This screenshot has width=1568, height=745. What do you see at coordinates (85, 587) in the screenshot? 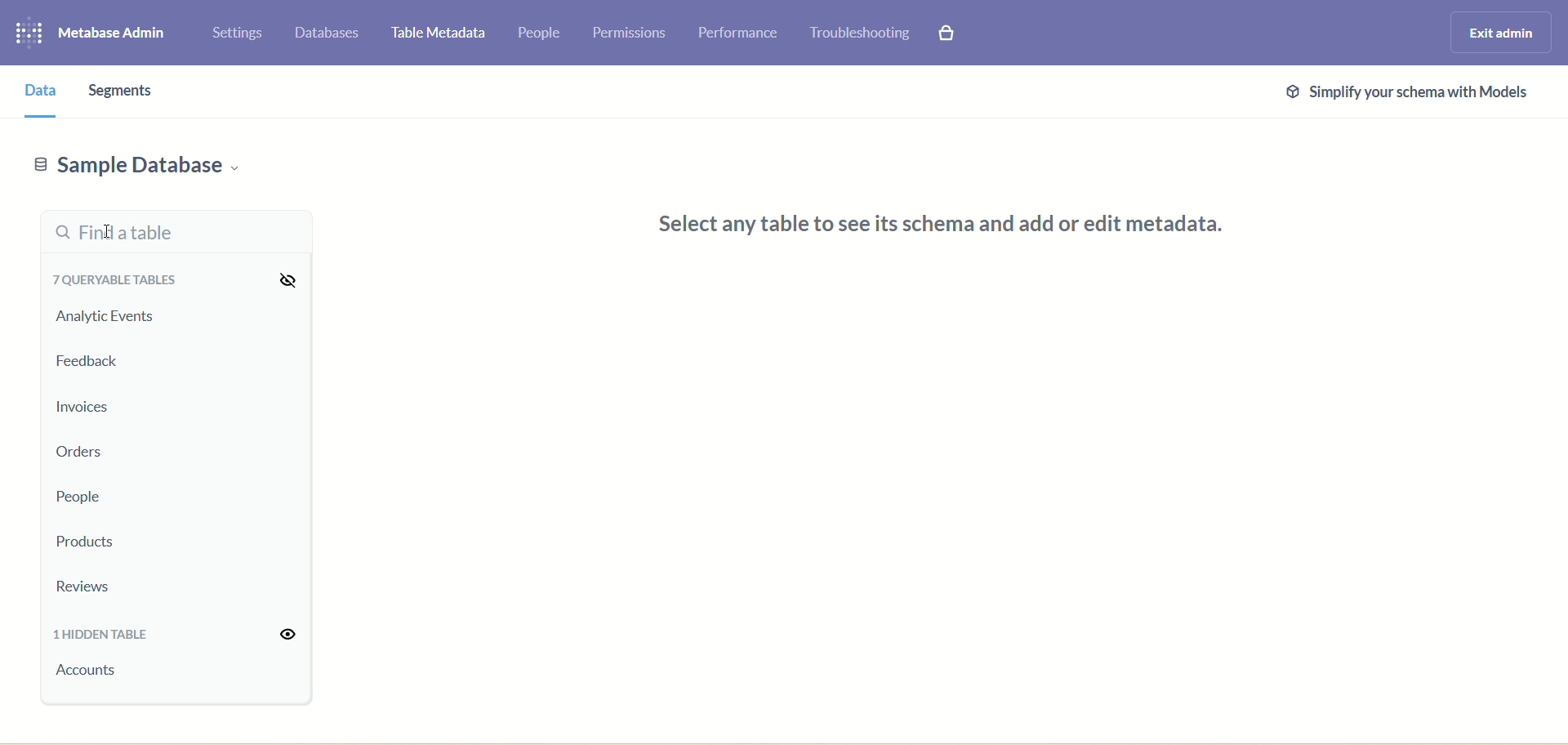
I see `reviews` at bounding box center [85, 587].